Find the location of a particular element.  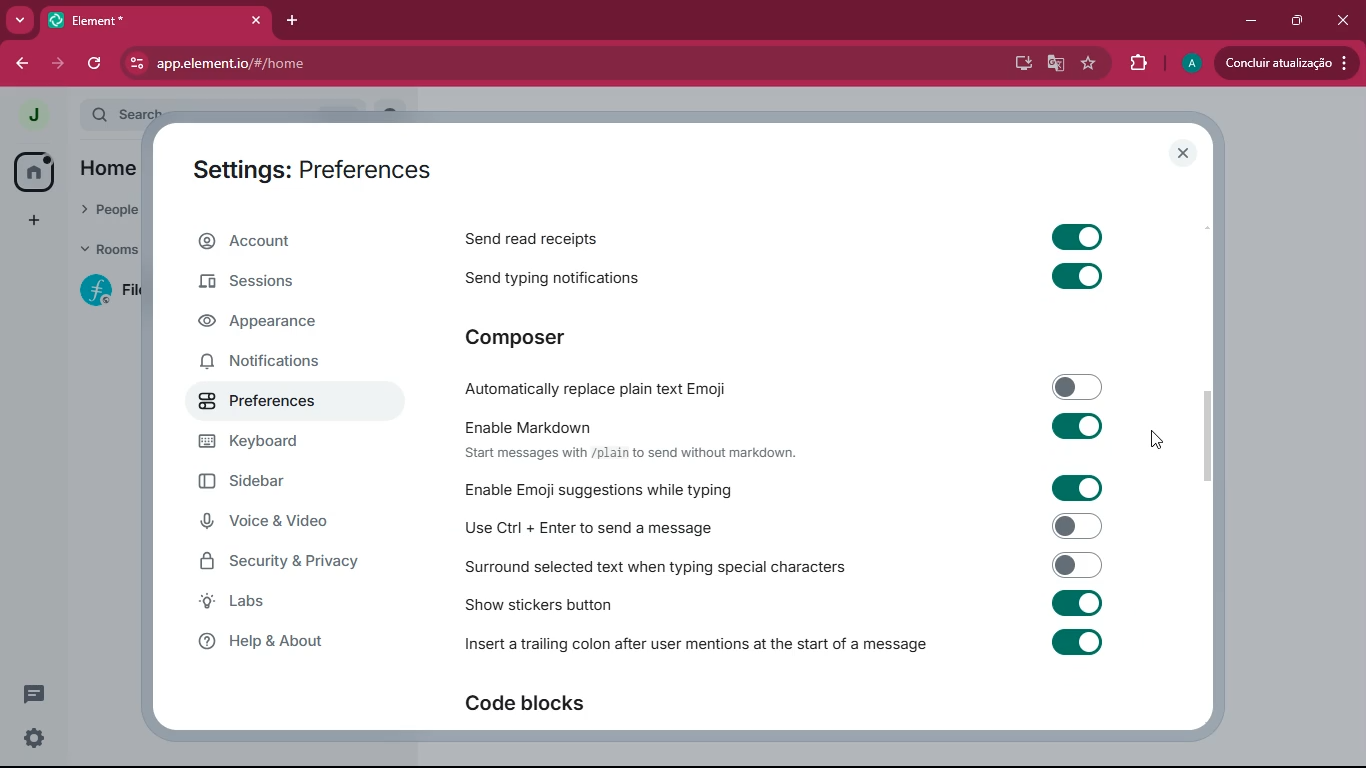

text is located at coordinates (629, 453).